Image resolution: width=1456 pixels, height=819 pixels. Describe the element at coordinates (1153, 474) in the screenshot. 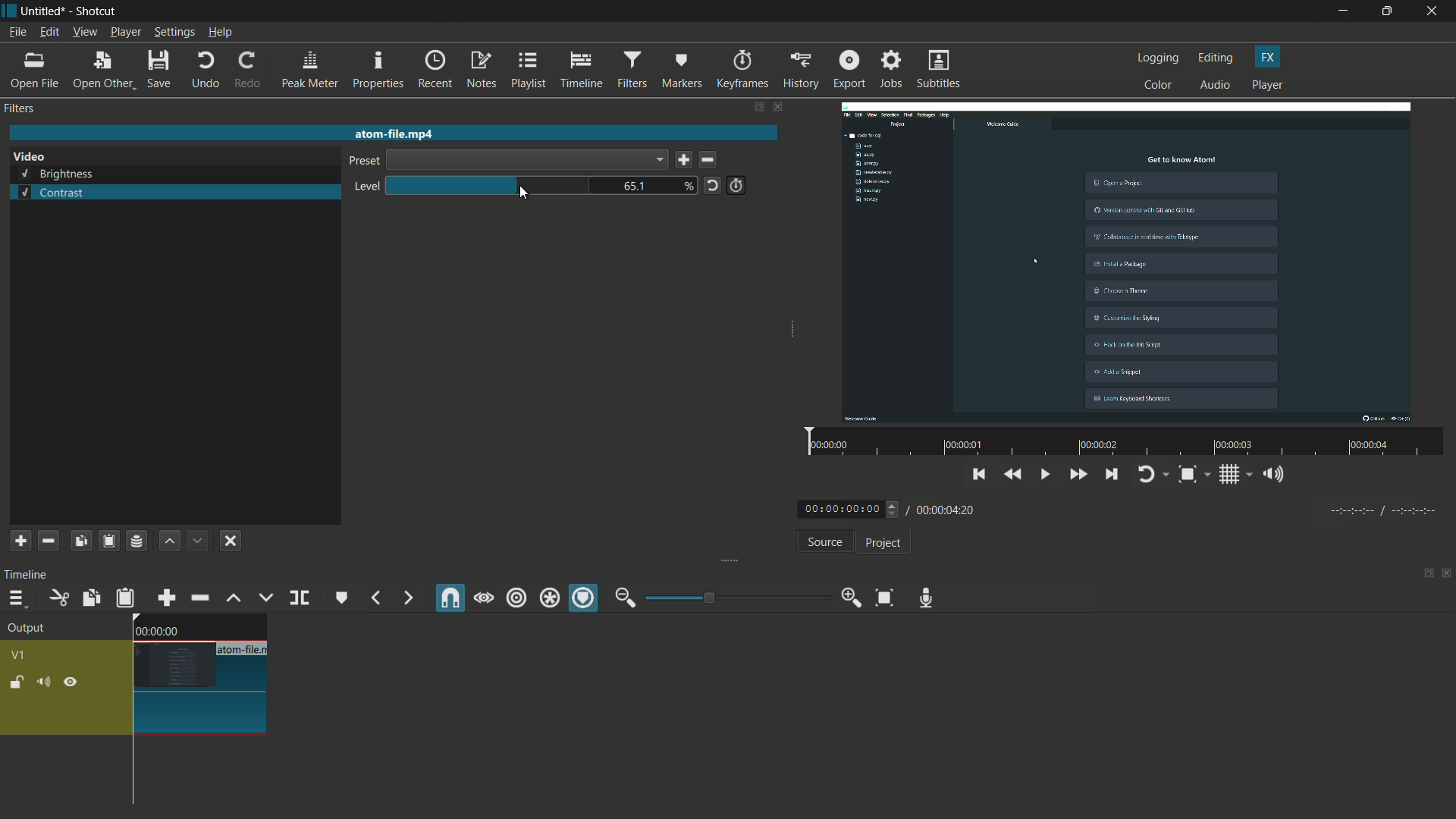

I see `toggle player logging` at that location.